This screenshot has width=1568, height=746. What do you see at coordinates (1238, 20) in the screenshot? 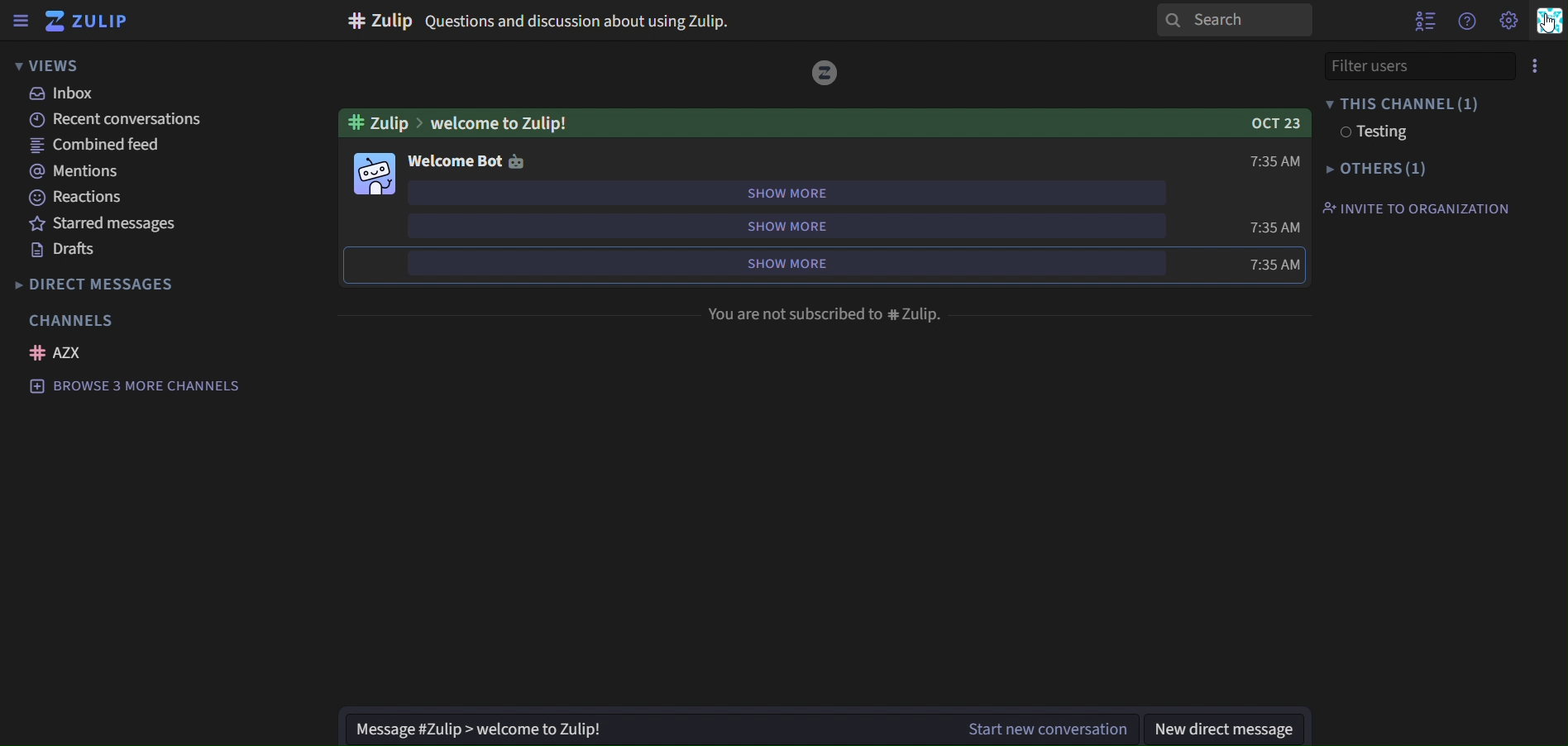
I see `search` at bounding box center [1238, 20].